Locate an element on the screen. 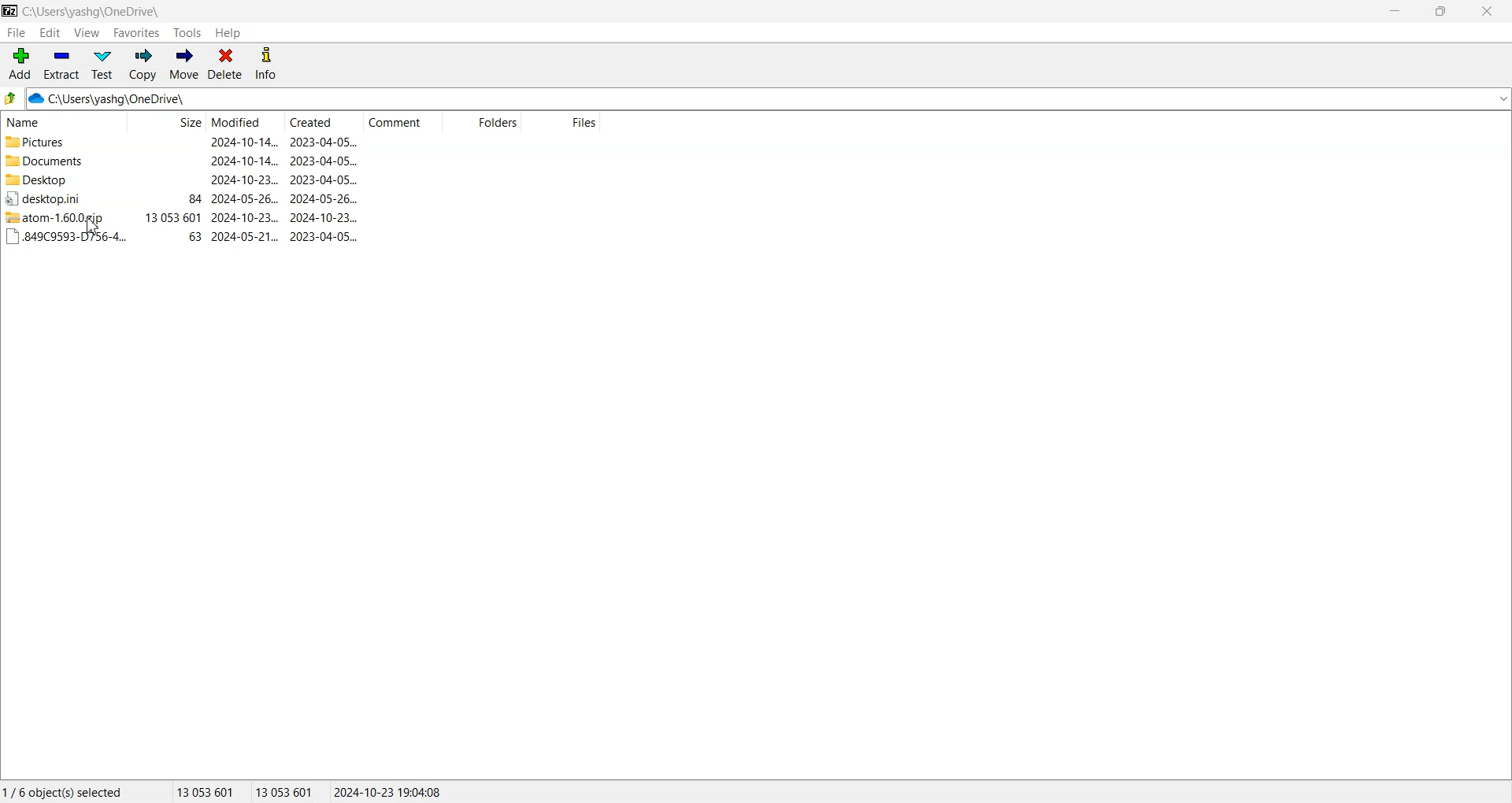 The image size is (1512, 803). 2024-10-23 is located at coordinates (245, 179).